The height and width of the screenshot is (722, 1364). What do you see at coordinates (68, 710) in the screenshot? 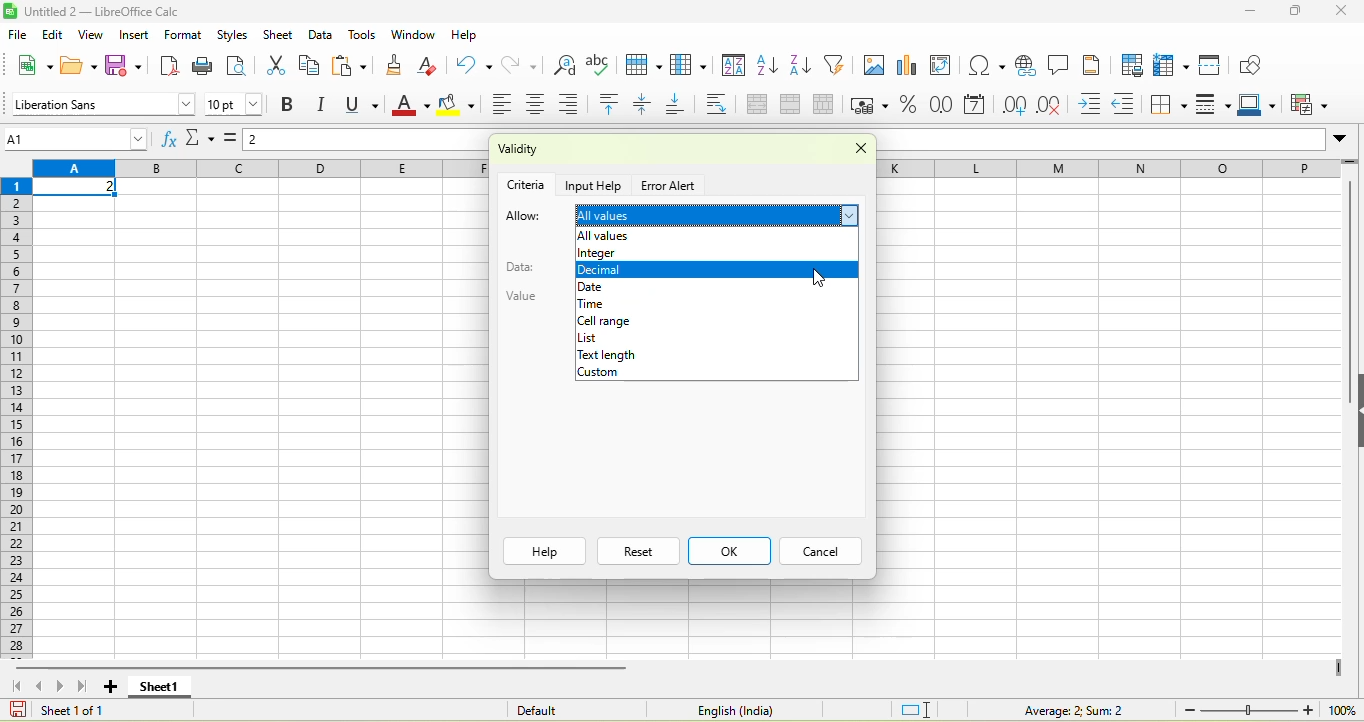
I see `sheet 1 0f 1` at bounding box center [68, 710].